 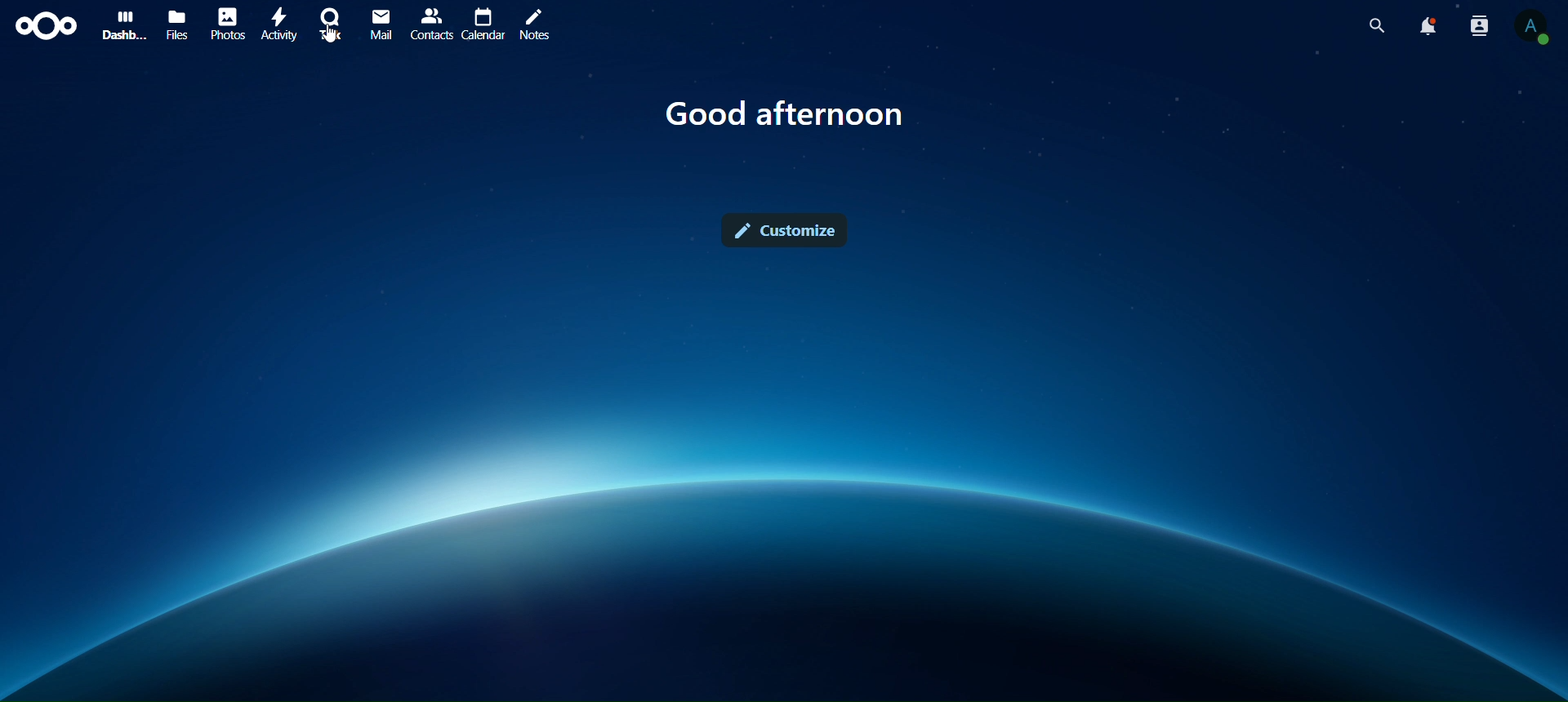 I want to click on photos, so click(x=226, y=24).